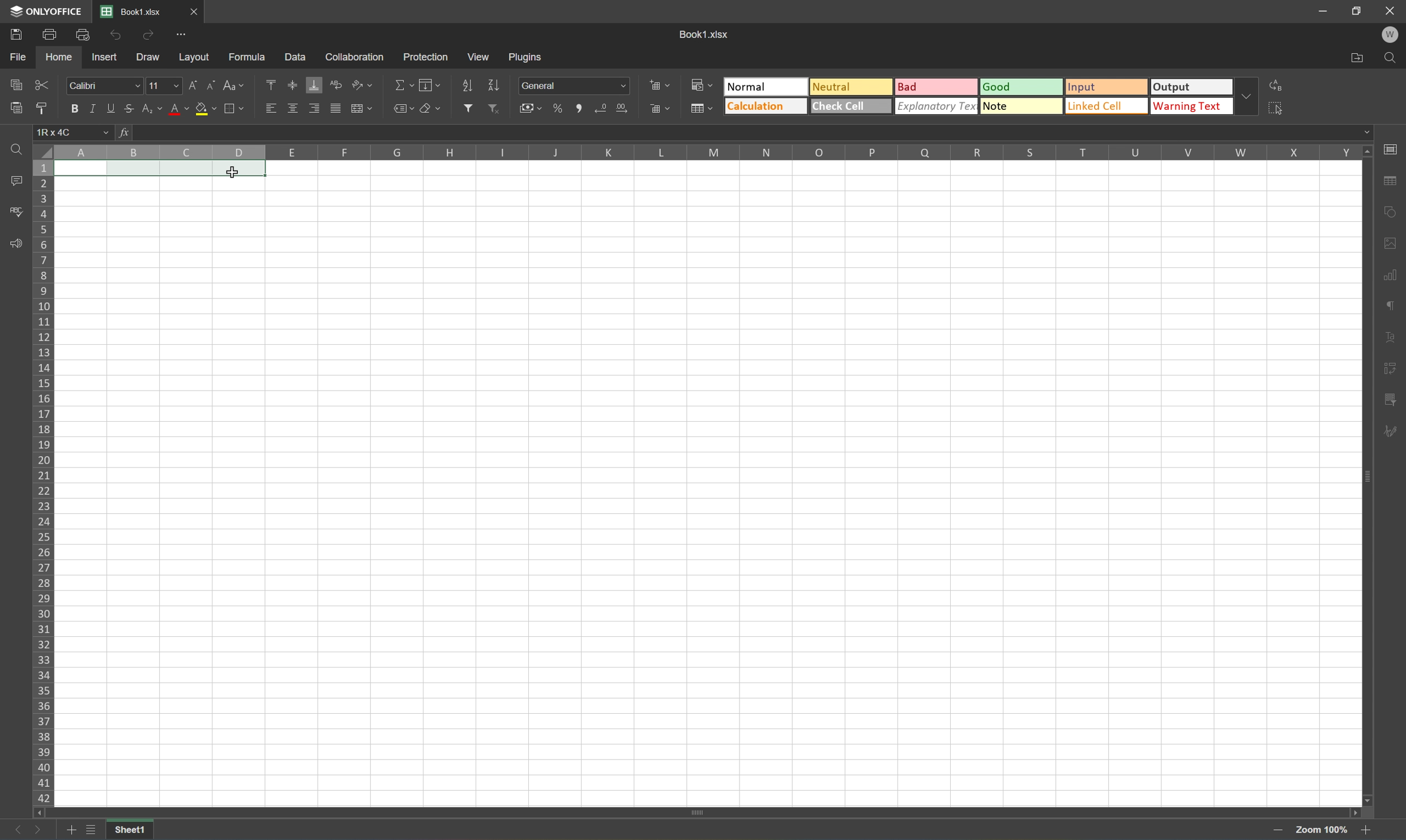  What do you see at coordinates (468, 85) in the screenshot?
I see `Sort ascending` at bounding box center [468, 85].